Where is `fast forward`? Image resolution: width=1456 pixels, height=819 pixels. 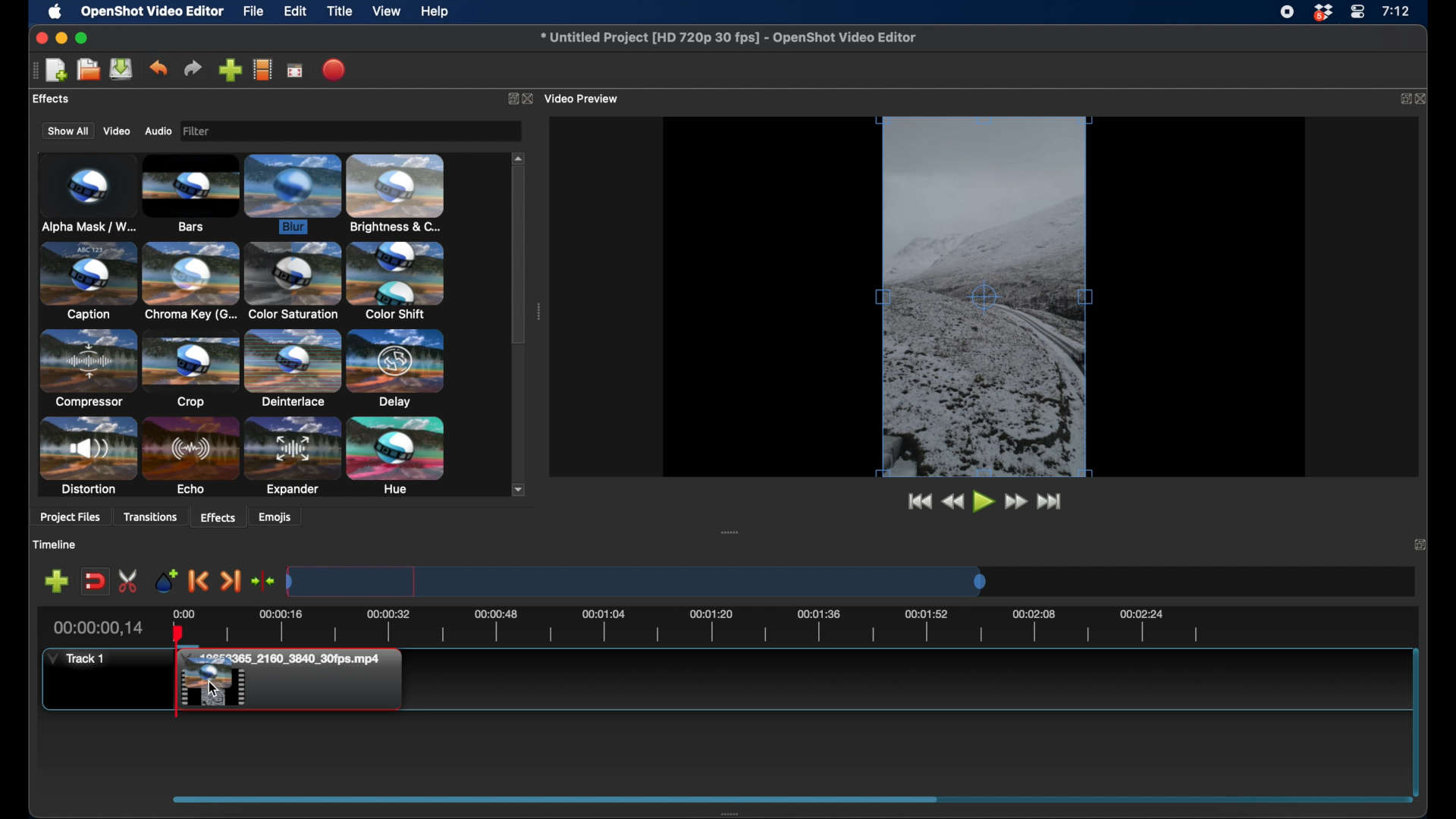
fast forward is located at coordinates (1018, 502).